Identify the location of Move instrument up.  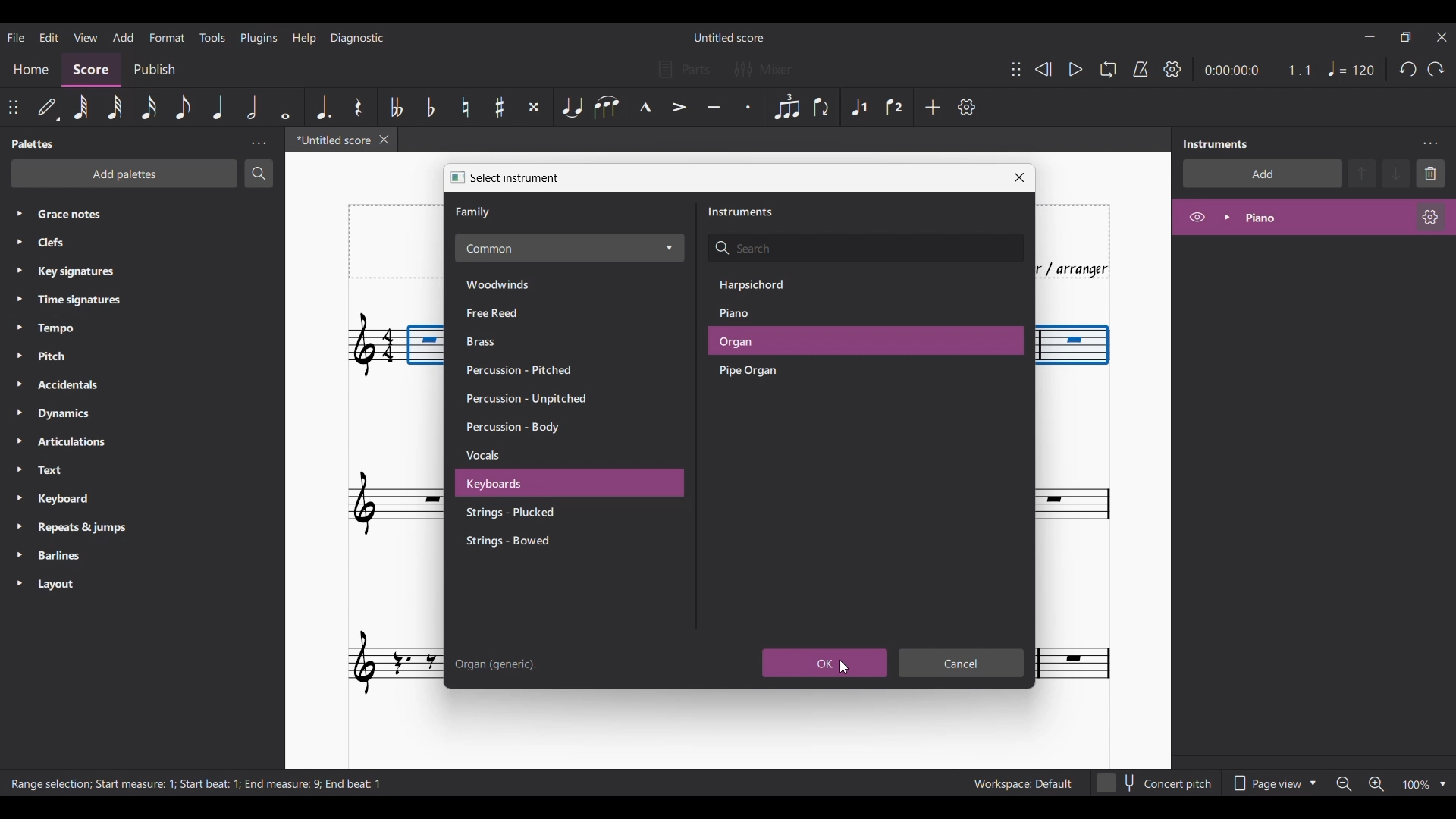
(1363, 173).